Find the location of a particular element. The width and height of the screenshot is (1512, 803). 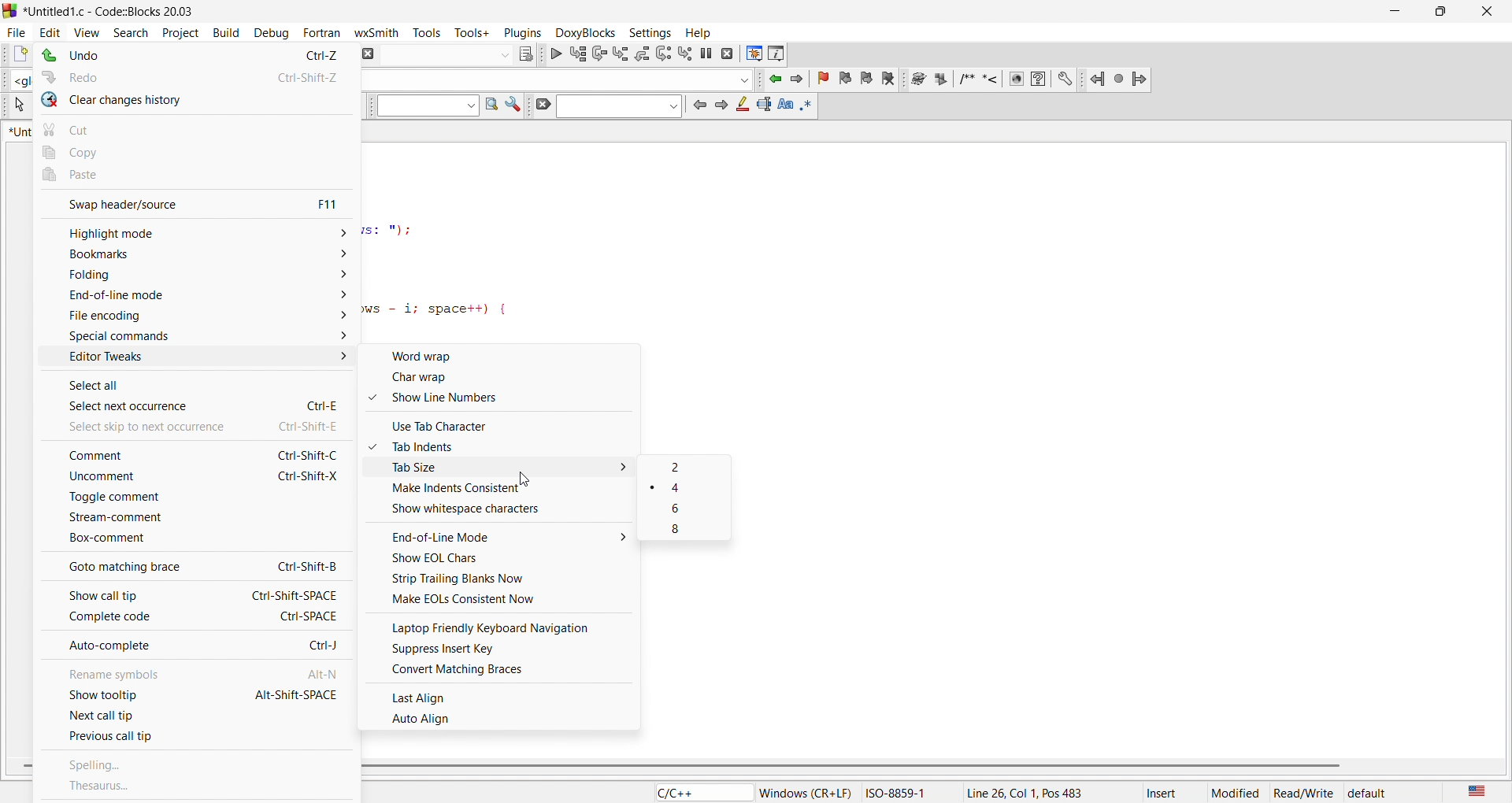

undo is located at coordinates (143, 55).